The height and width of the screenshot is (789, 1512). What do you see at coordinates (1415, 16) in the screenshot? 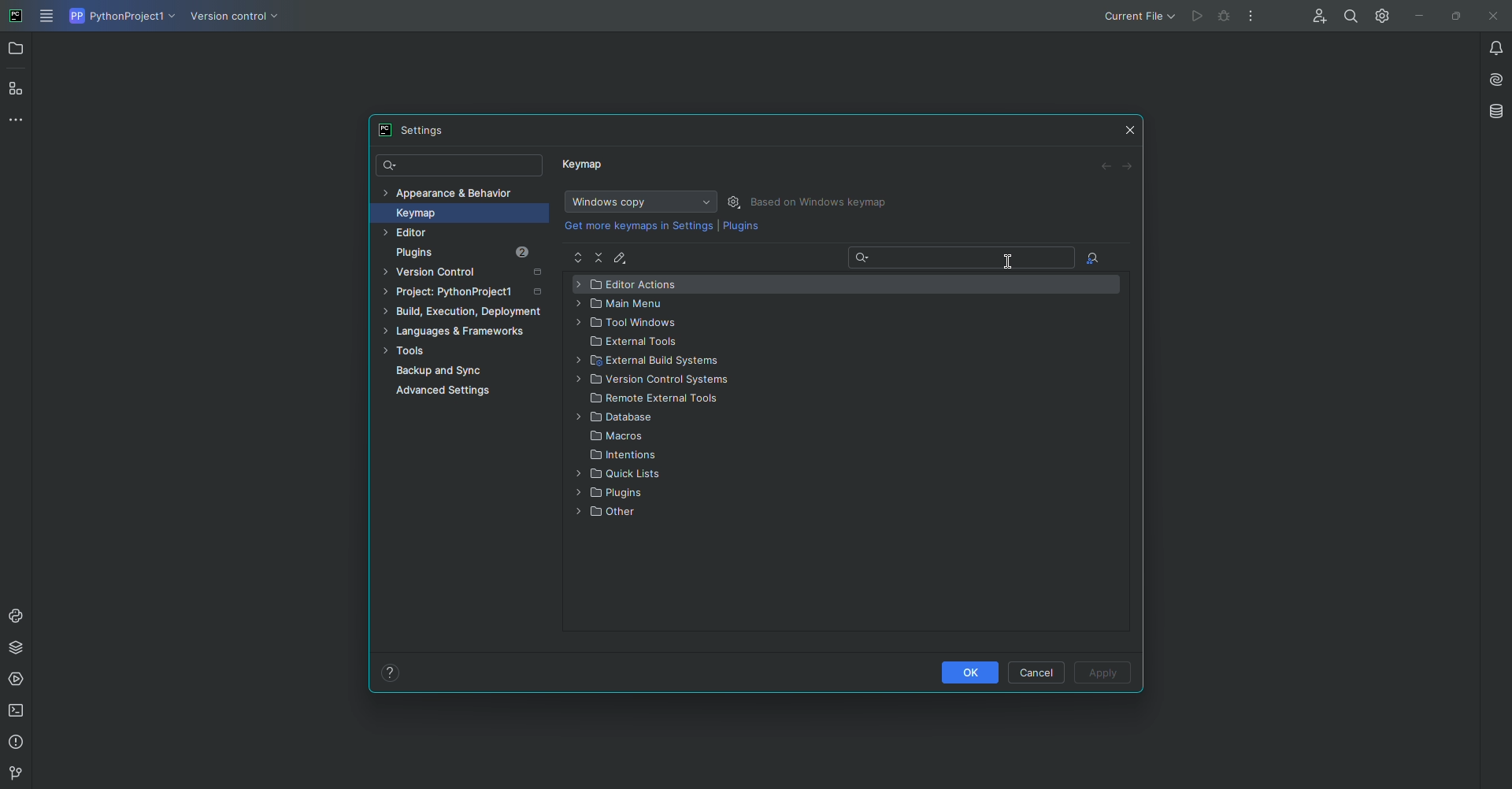
I see `Minimize` at bounding box center [1415, 16].